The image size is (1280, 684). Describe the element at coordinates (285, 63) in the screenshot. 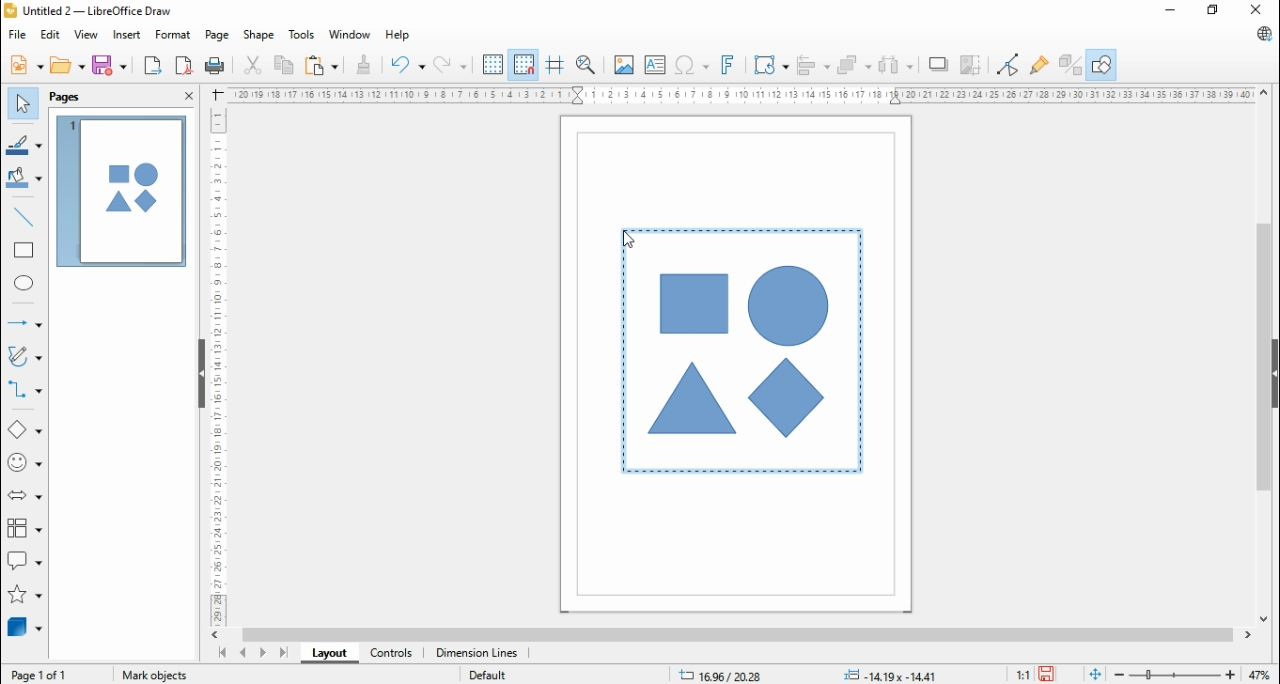

I see `copy` at that location.